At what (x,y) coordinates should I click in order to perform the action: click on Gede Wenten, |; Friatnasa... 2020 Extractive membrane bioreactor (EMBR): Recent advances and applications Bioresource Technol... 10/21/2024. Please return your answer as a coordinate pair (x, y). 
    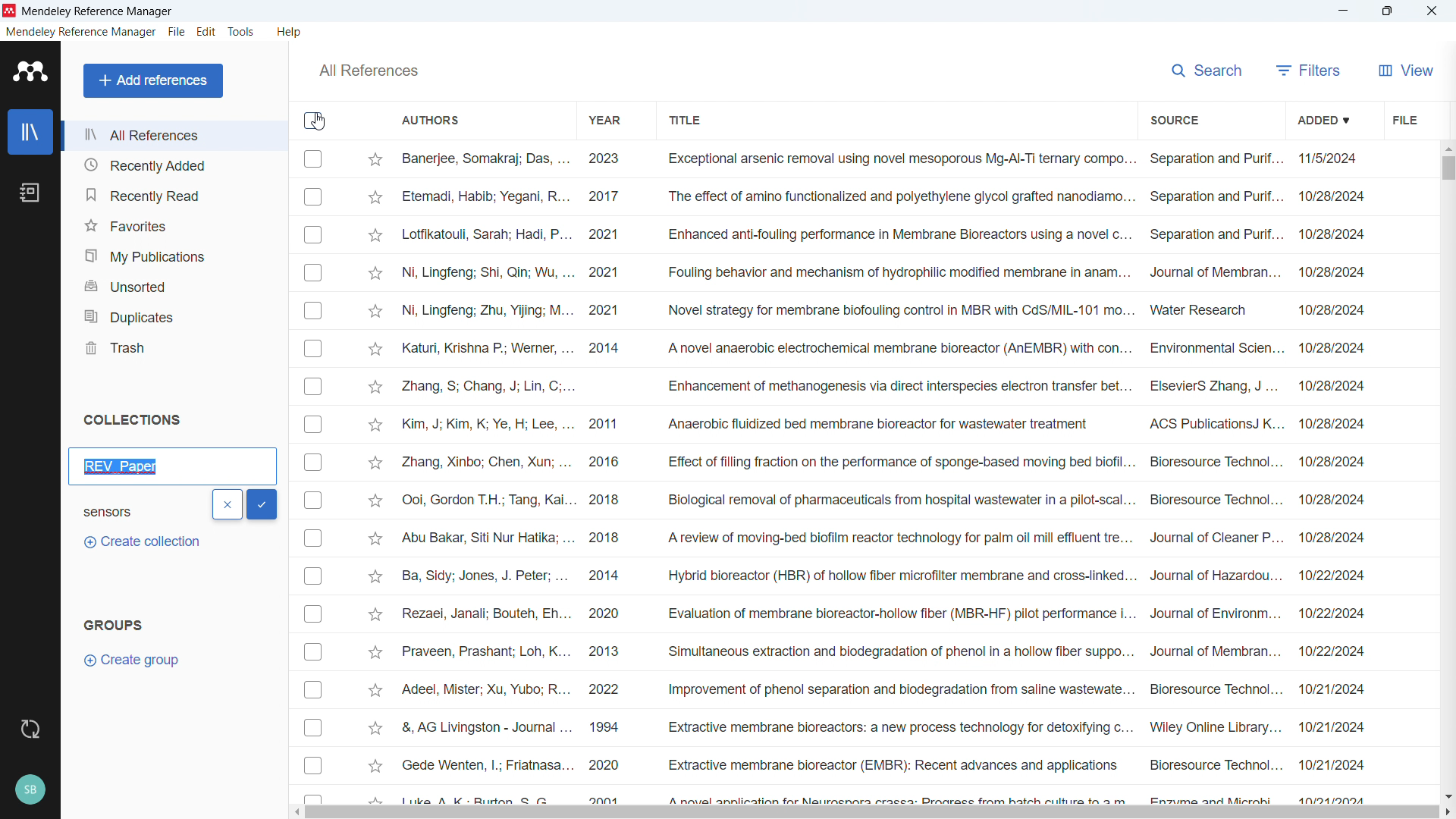
    Looking at the image, I should click on (883, 764).